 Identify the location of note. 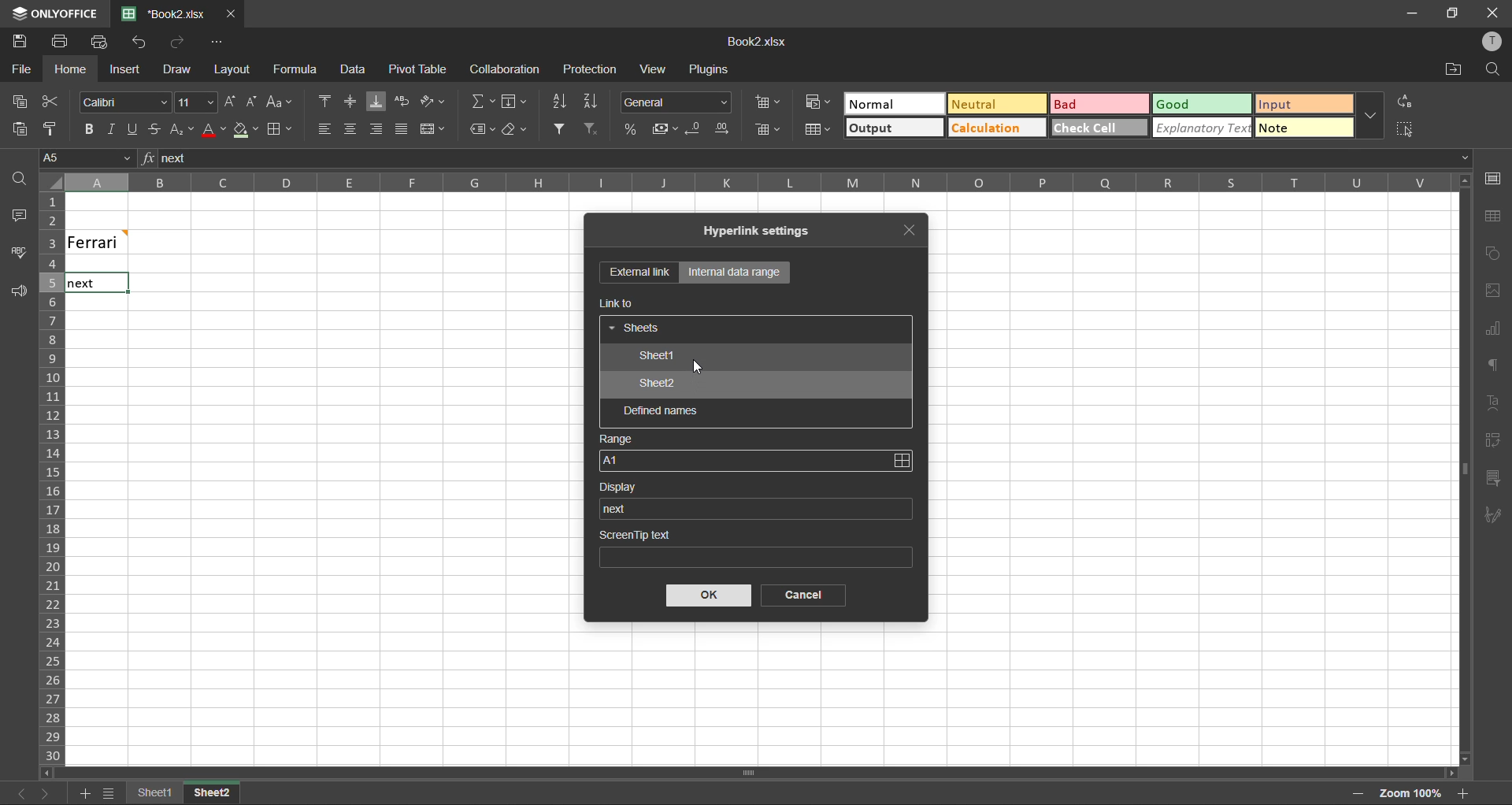
(1303, 127).